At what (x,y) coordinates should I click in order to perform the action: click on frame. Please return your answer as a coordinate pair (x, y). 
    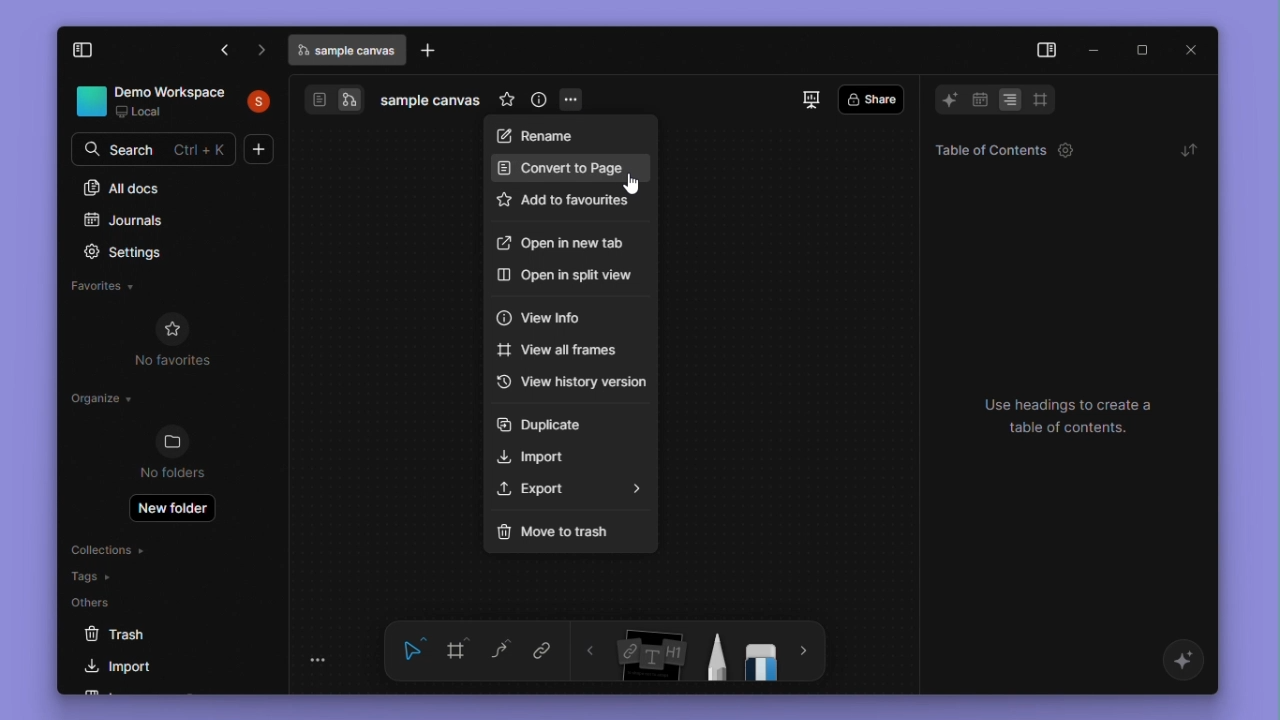
    Looking at the image, I should click on (458, 651).